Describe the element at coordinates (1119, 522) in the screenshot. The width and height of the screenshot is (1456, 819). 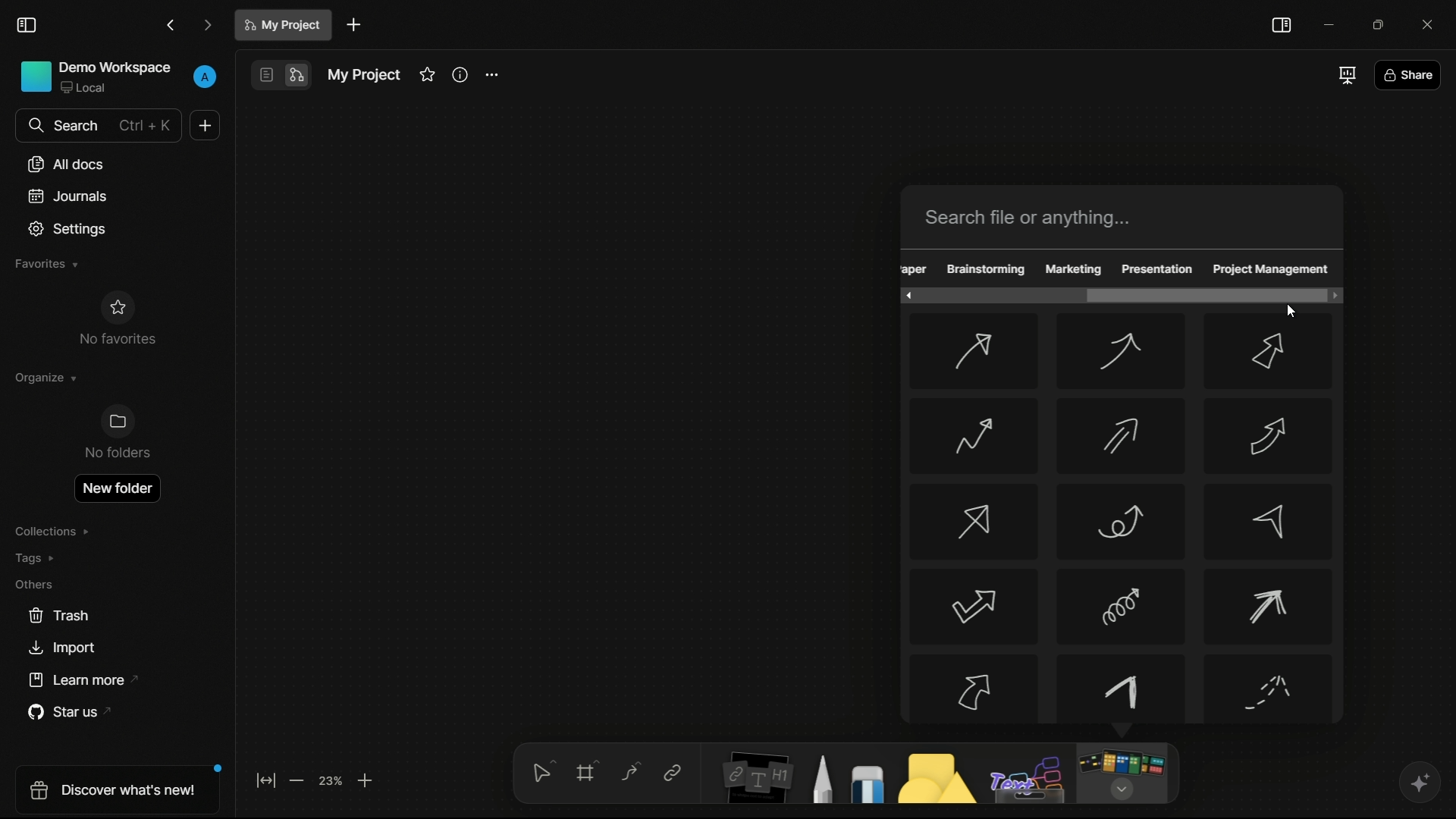
I see `arrow-8` at that location.